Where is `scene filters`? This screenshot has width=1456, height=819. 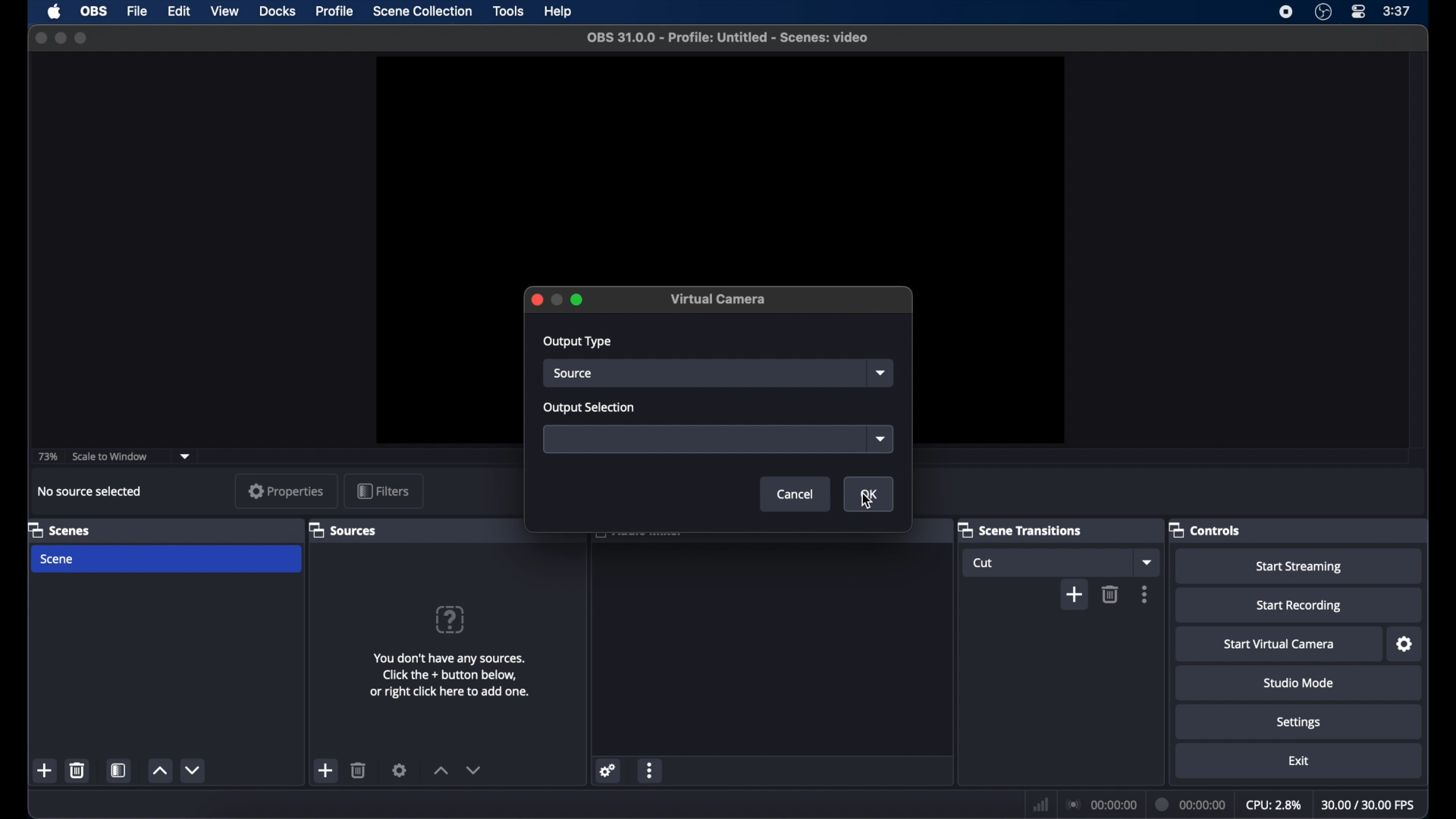
scene filters is located at coordinates (119, 771).